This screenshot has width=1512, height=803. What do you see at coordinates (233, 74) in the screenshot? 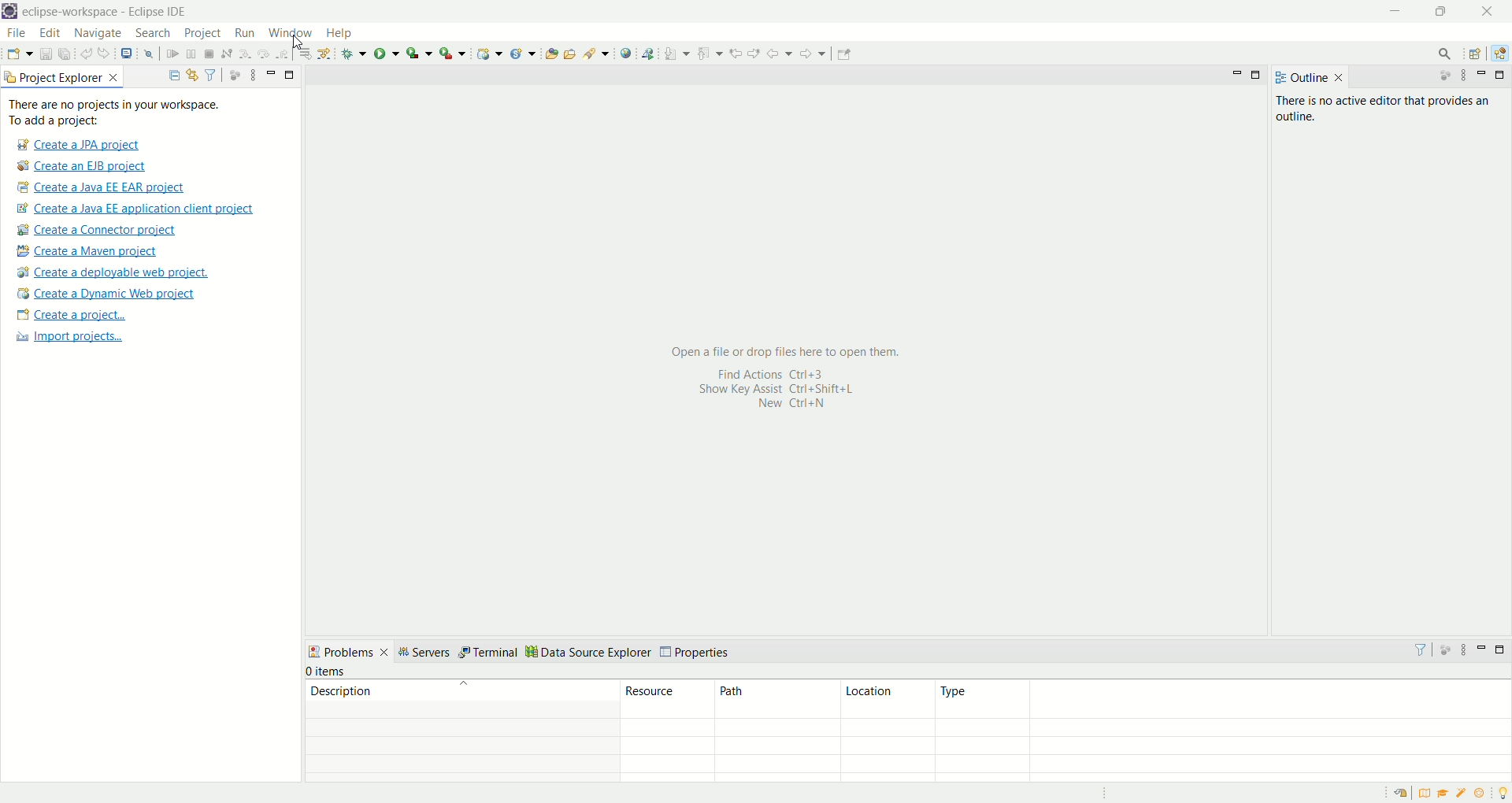
I see `focus on active task` at bounding box center [233, 74].